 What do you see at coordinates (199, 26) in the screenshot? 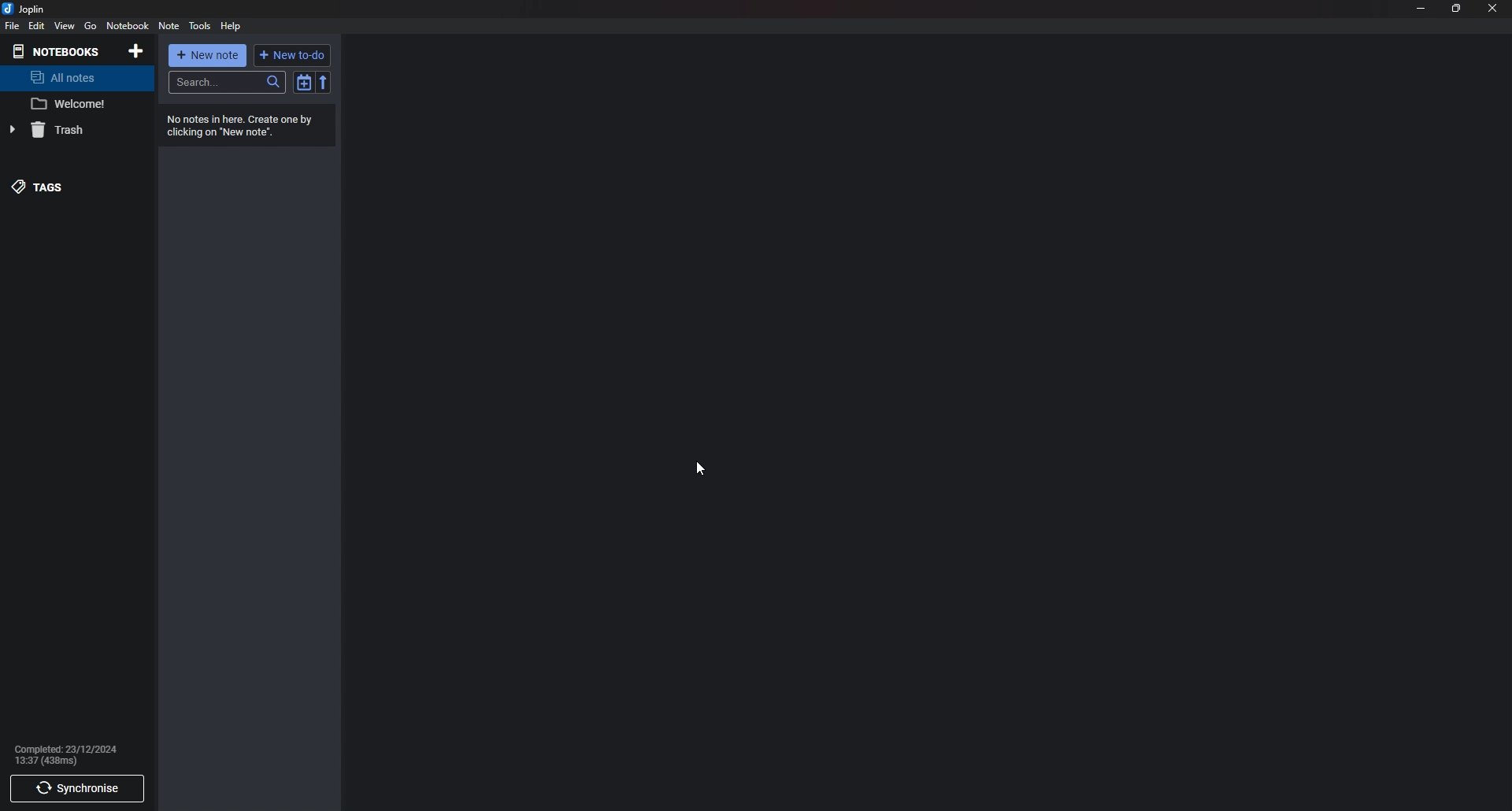
I see `Tools` at bounding box center [199, 26].